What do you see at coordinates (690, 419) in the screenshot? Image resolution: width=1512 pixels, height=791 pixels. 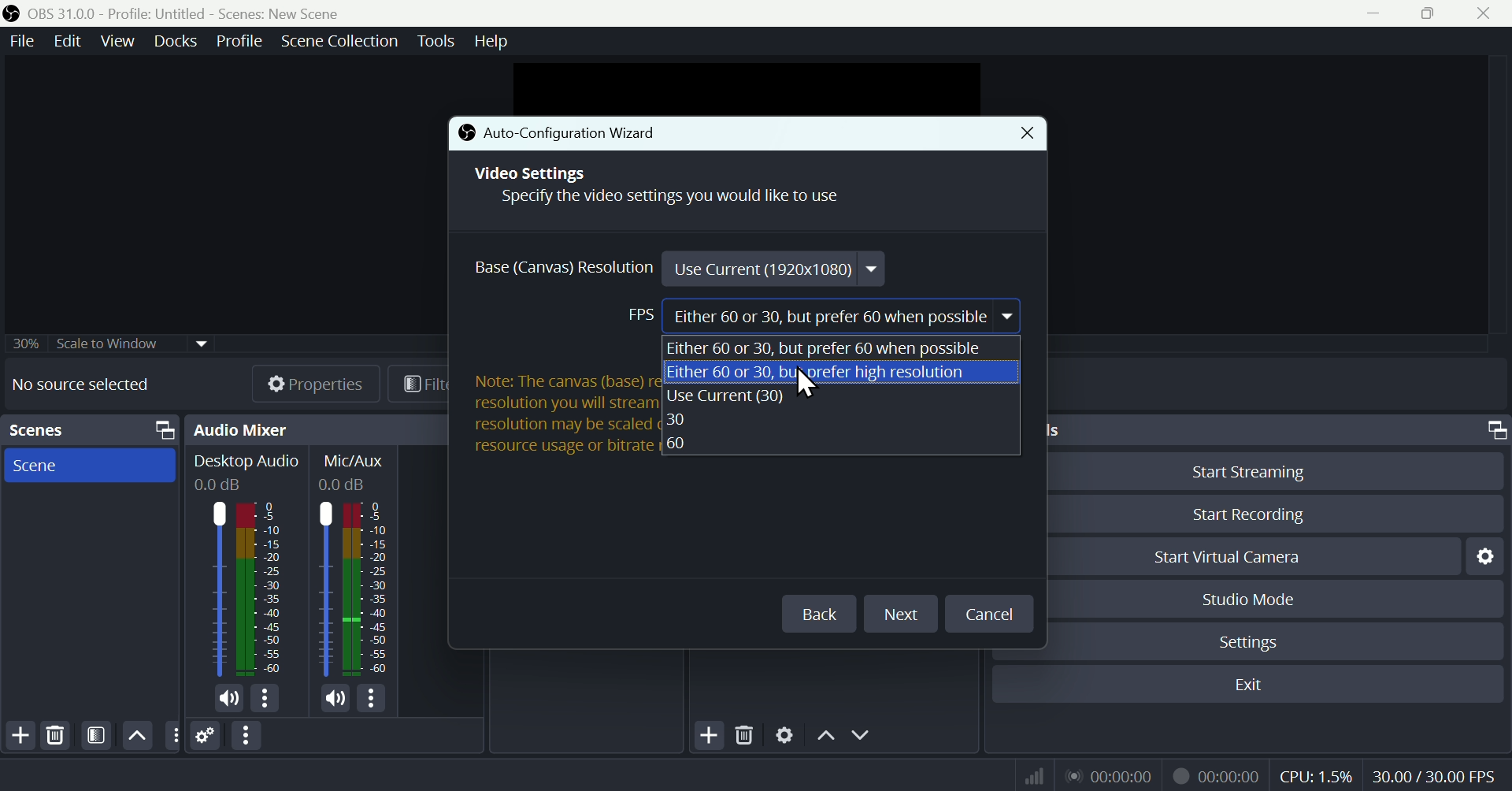 I see `30` at bounding box center [690, 419].